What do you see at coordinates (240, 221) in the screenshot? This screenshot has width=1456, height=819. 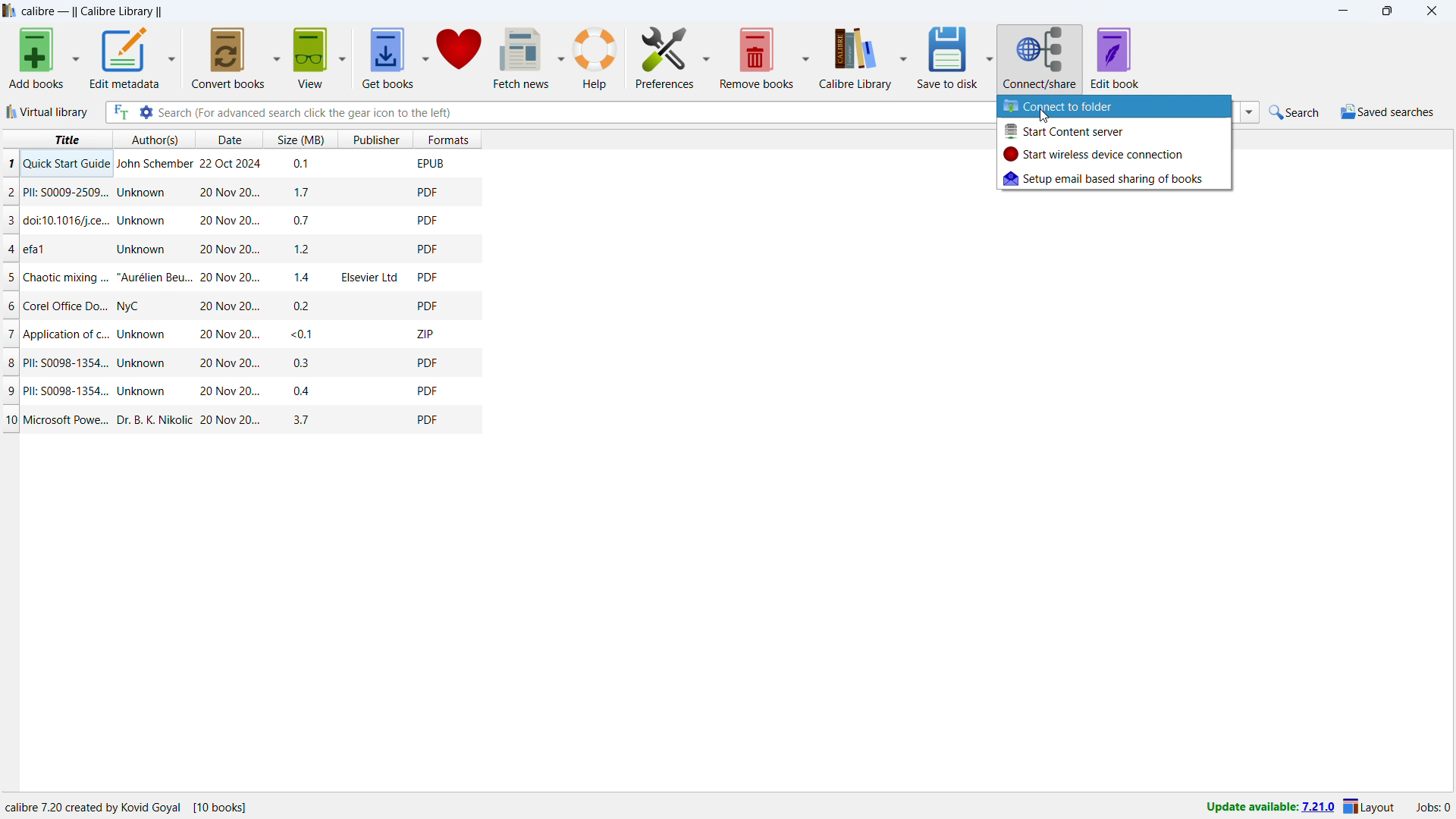 I see `one book entry` at bounding box center [240, 221].